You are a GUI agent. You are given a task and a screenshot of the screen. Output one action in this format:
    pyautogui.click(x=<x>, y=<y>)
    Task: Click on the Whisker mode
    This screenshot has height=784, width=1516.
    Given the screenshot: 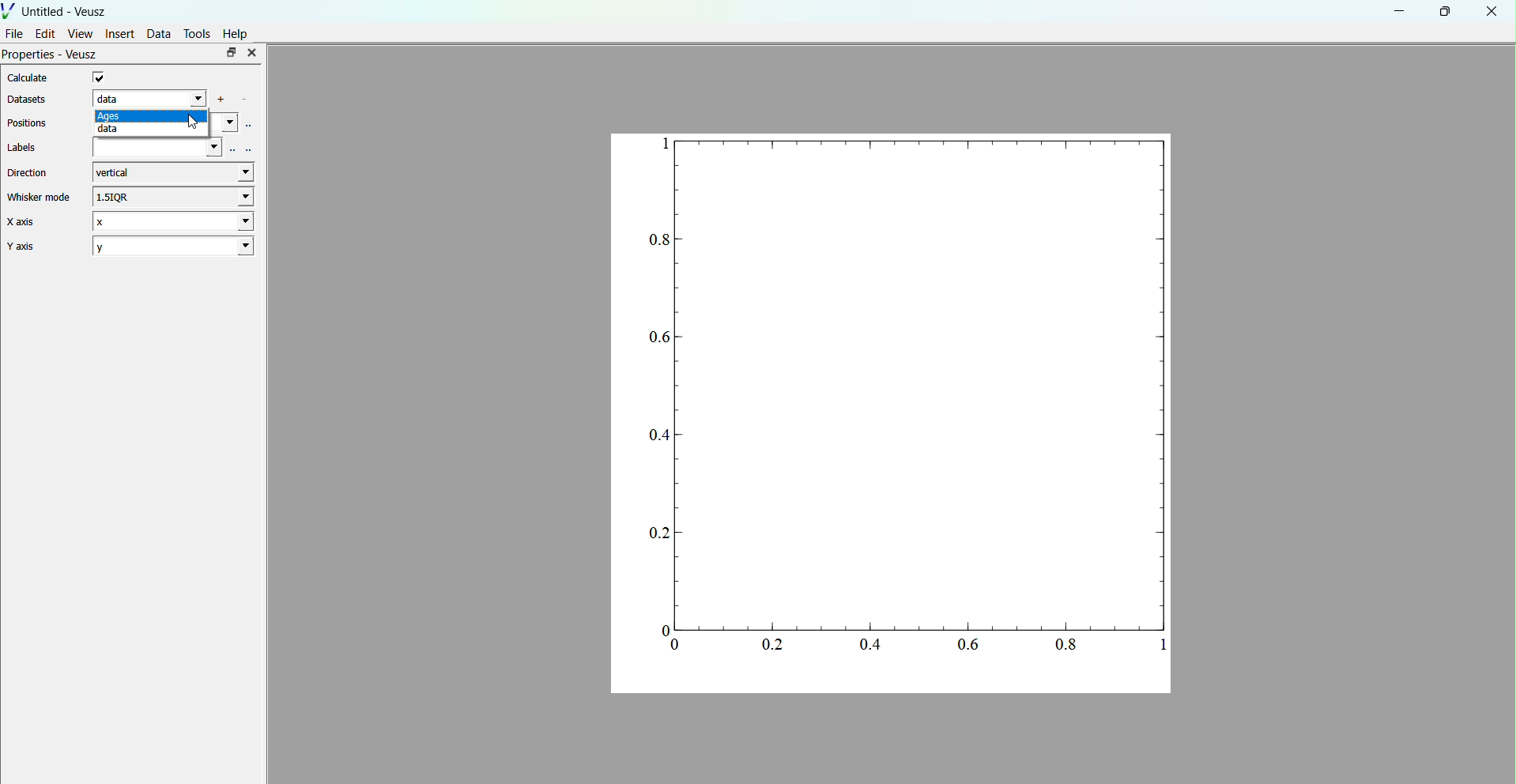 What is the action you would take?
    pyautogui.click(x=38, y=198)
    